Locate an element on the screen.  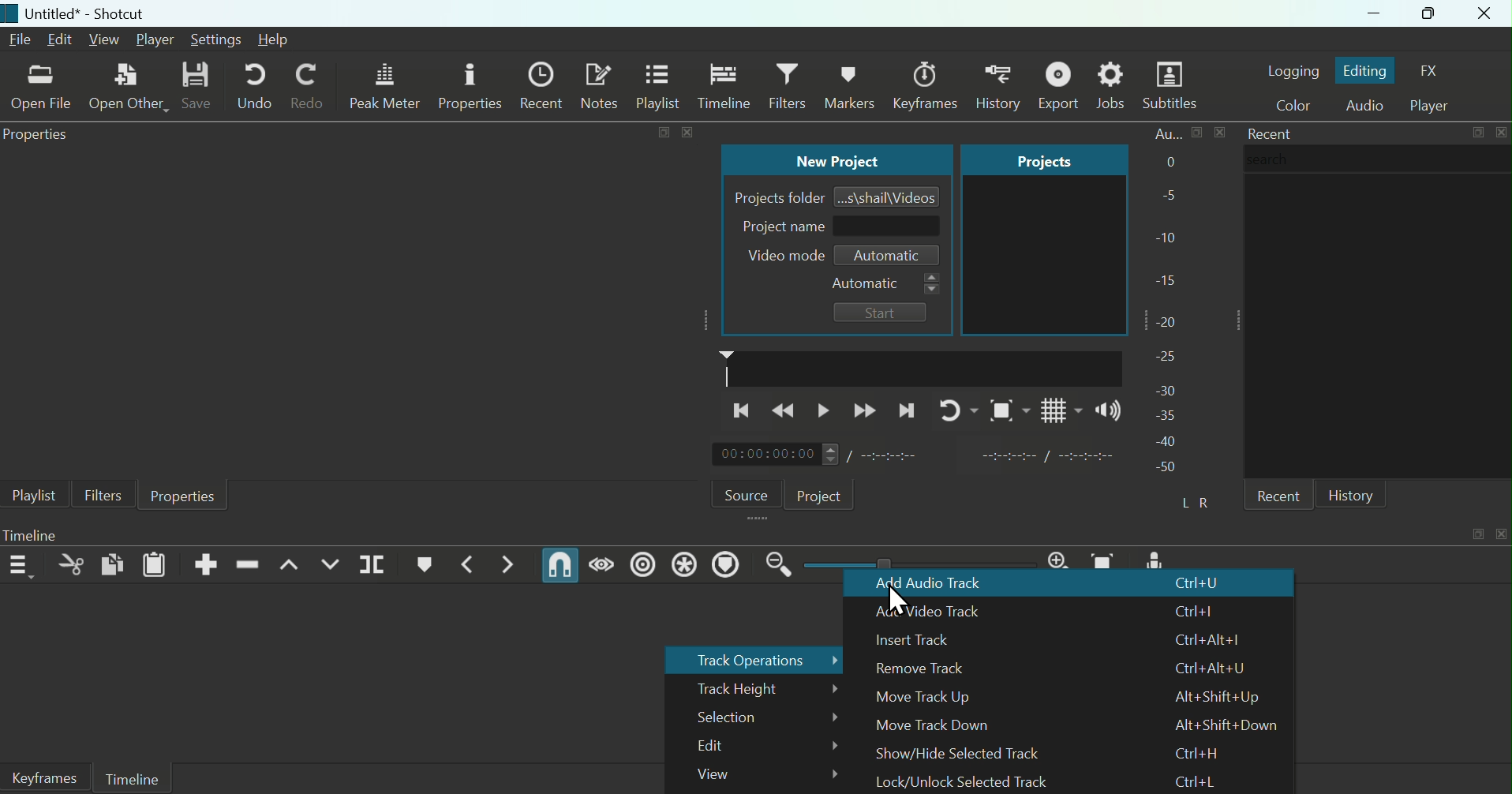
Color is located at coordinates (1289, 106).